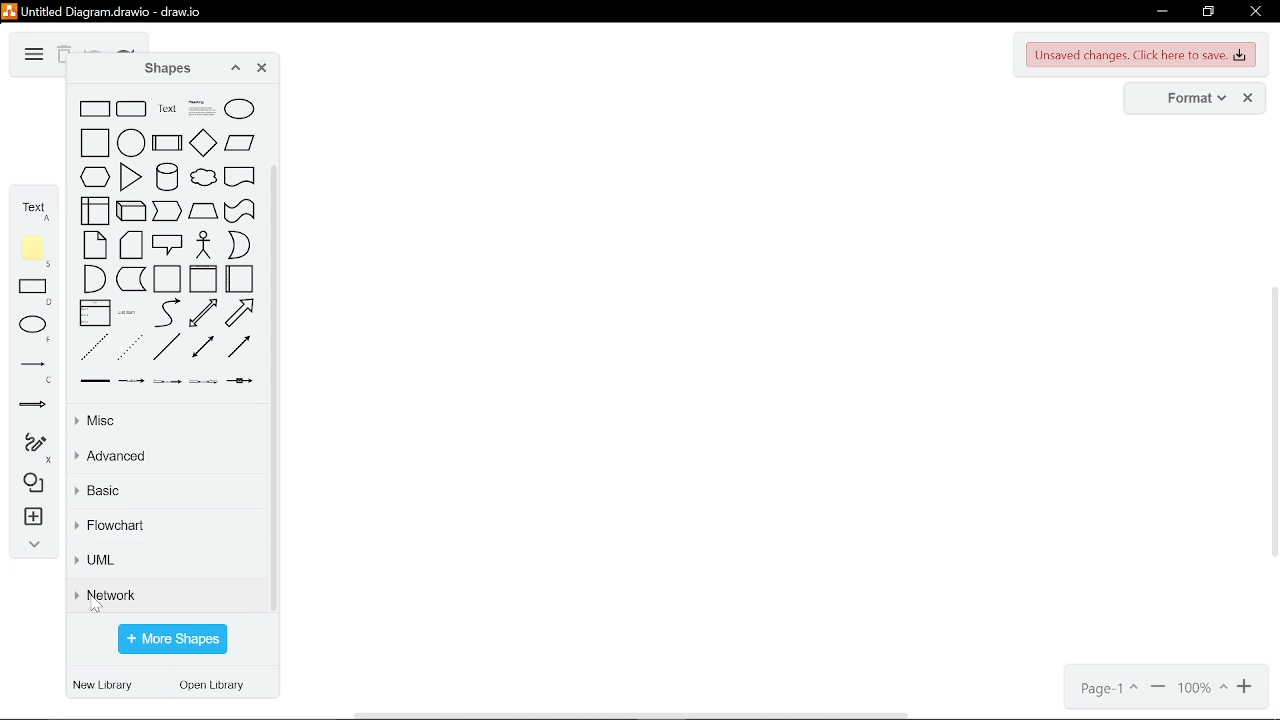  Describe the element at coordinates (114, 10) in the screenshot. I see `Untitled diagram.drawio - draw.io` at that location.